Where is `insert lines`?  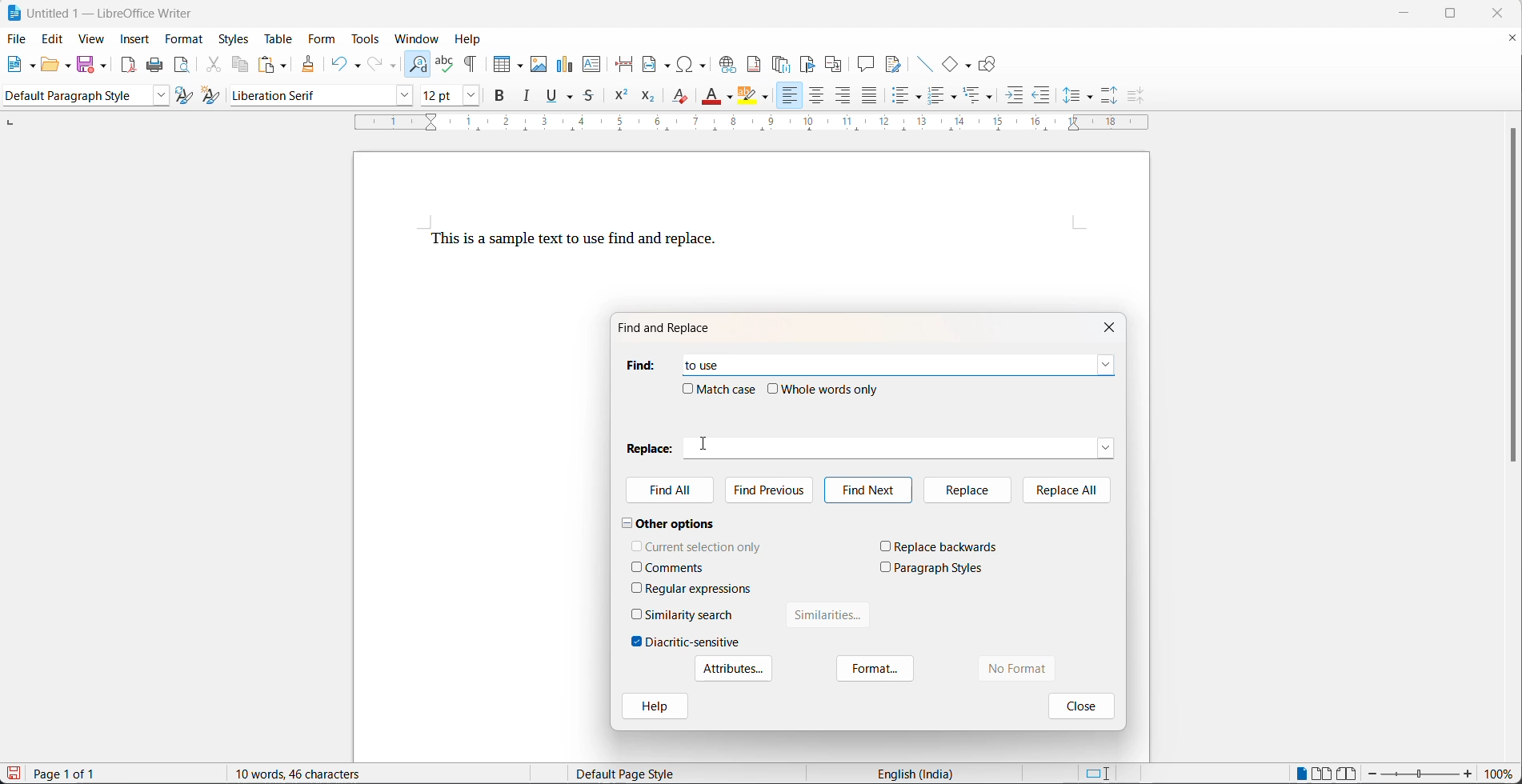 insert lines is located at coordinates (924, 64).